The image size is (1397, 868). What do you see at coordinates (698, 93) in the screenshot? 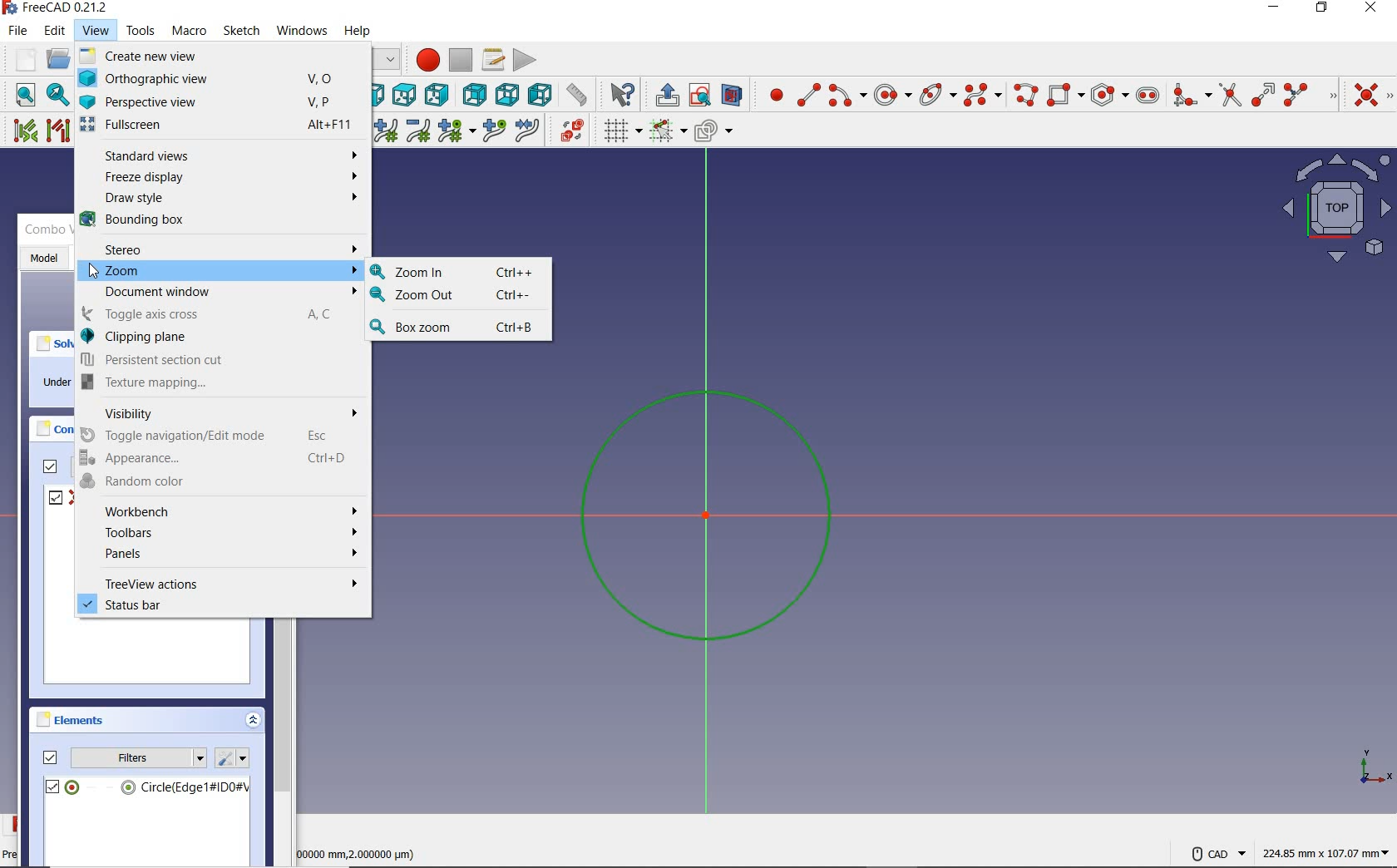
I see `view sketch` at bounding box center [698, 93].